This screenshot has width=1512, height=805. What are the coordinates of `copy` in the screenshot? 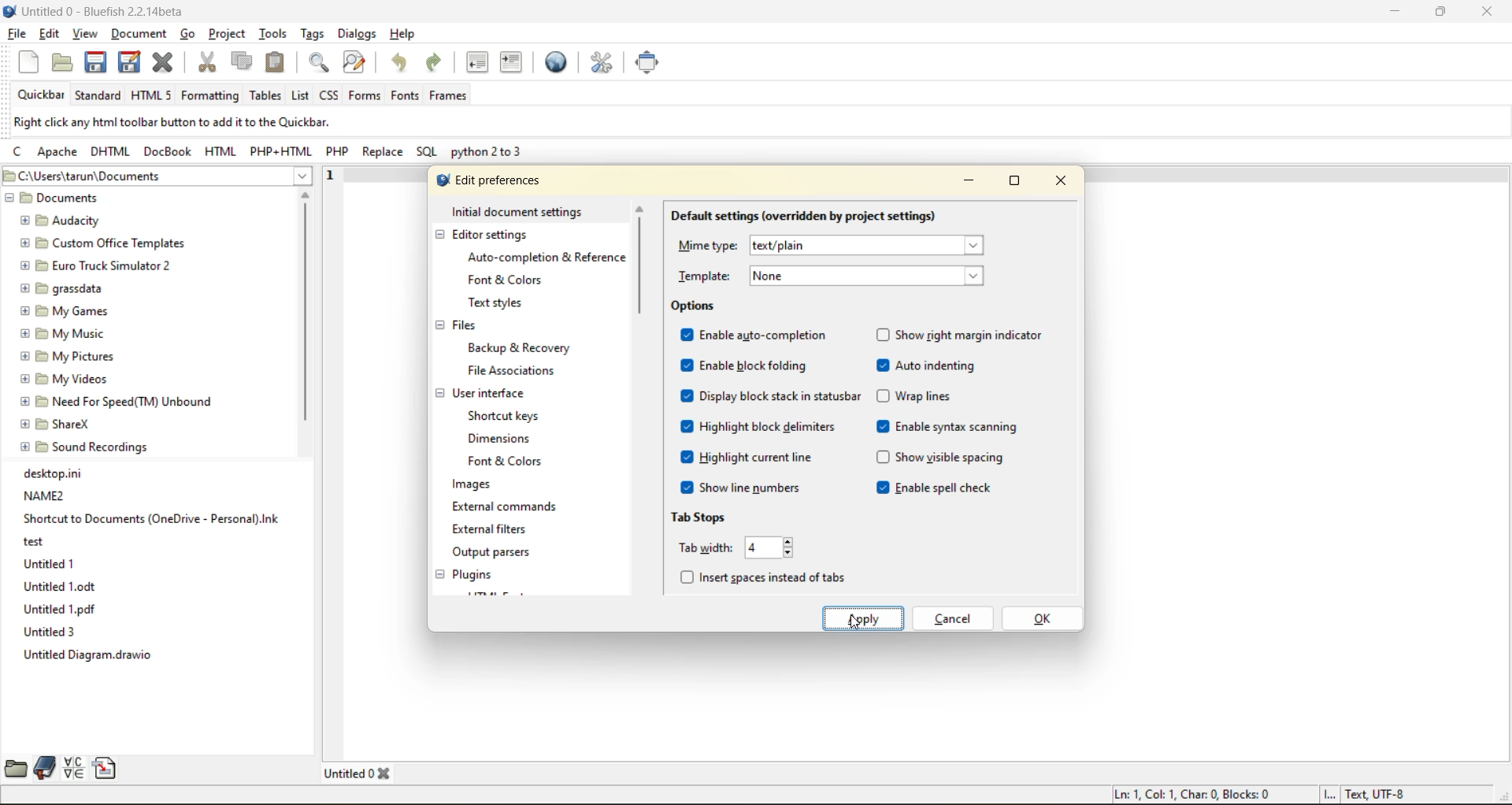 It's located at (242, 61).